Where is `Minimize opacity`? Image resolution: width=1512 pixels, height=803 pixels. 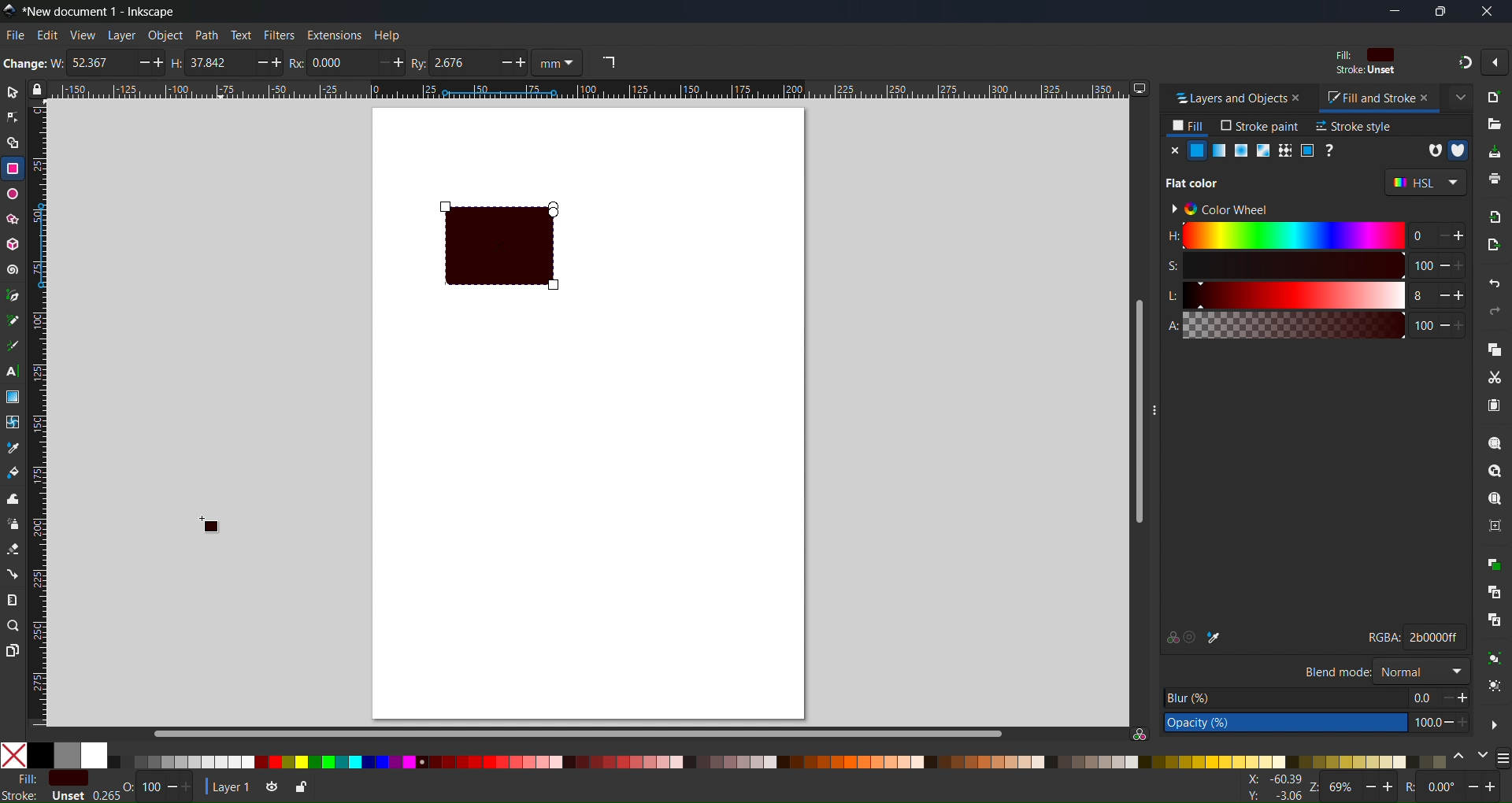 Minimize opacity is located at coordinates (172, 787).